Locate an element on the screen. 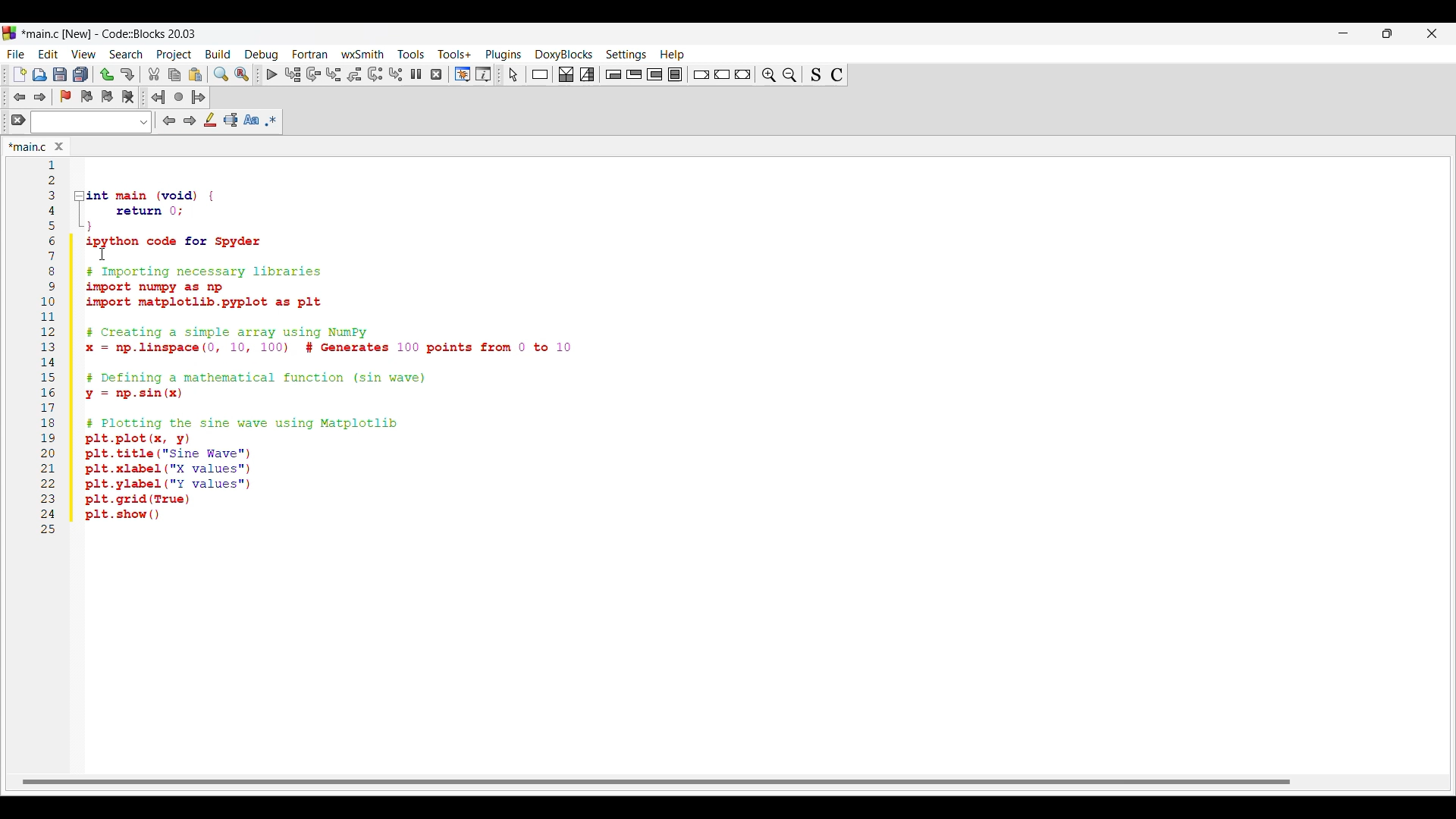  Debugging windows is located at coordinates (462, 74).